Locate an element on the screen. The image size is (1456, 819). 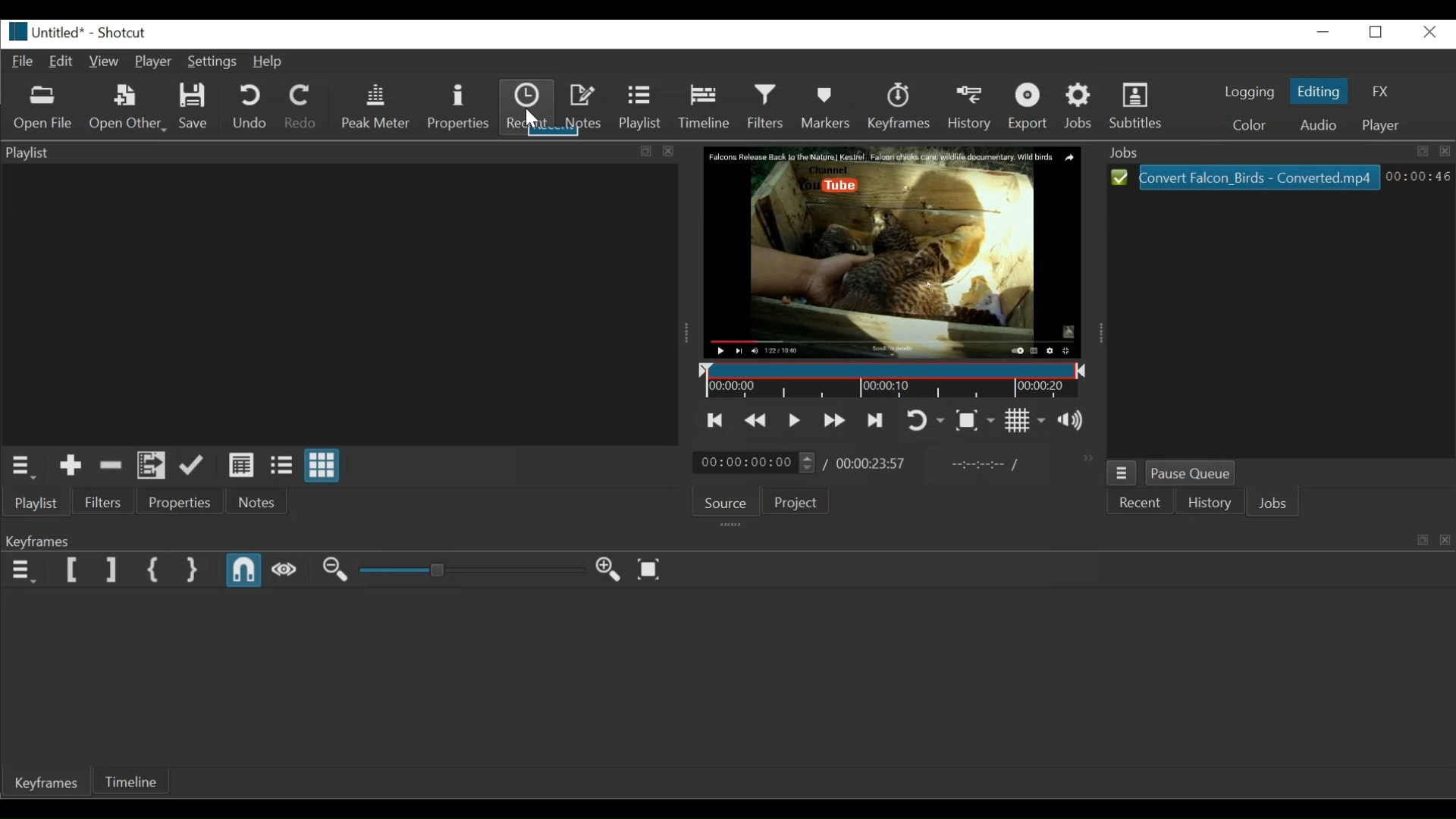
Zoom timeline out is located at coordinates (336, 570).